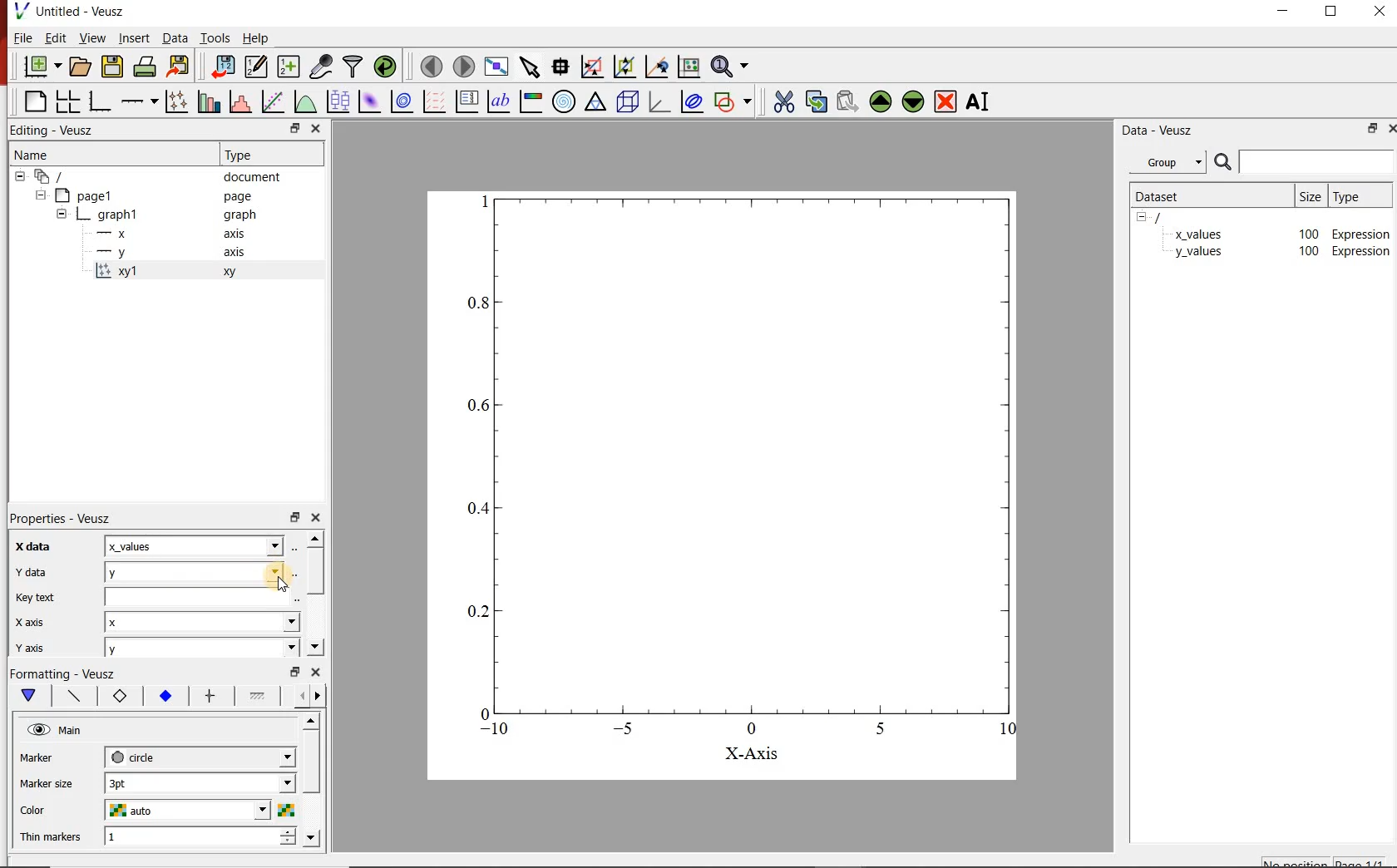  I want to click on —x, so click(116, 232).